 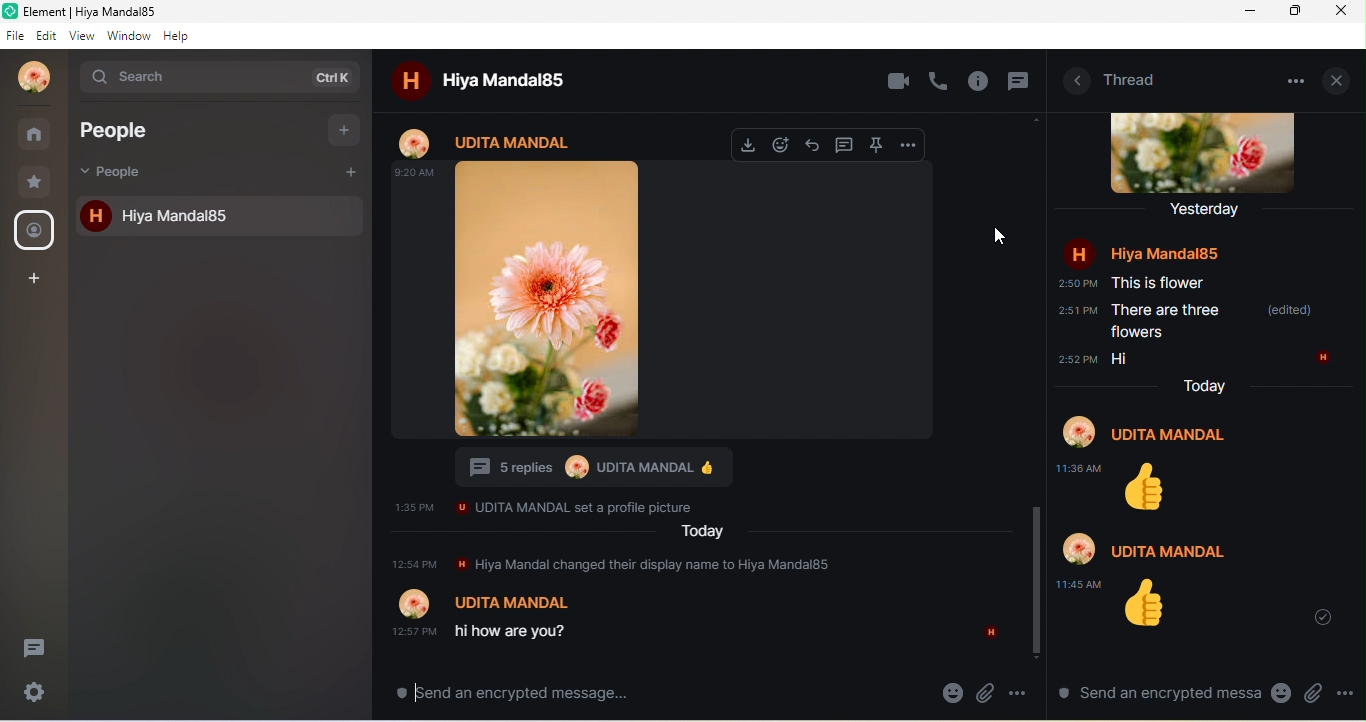 I want to click on add, so click(x=351, y=170).